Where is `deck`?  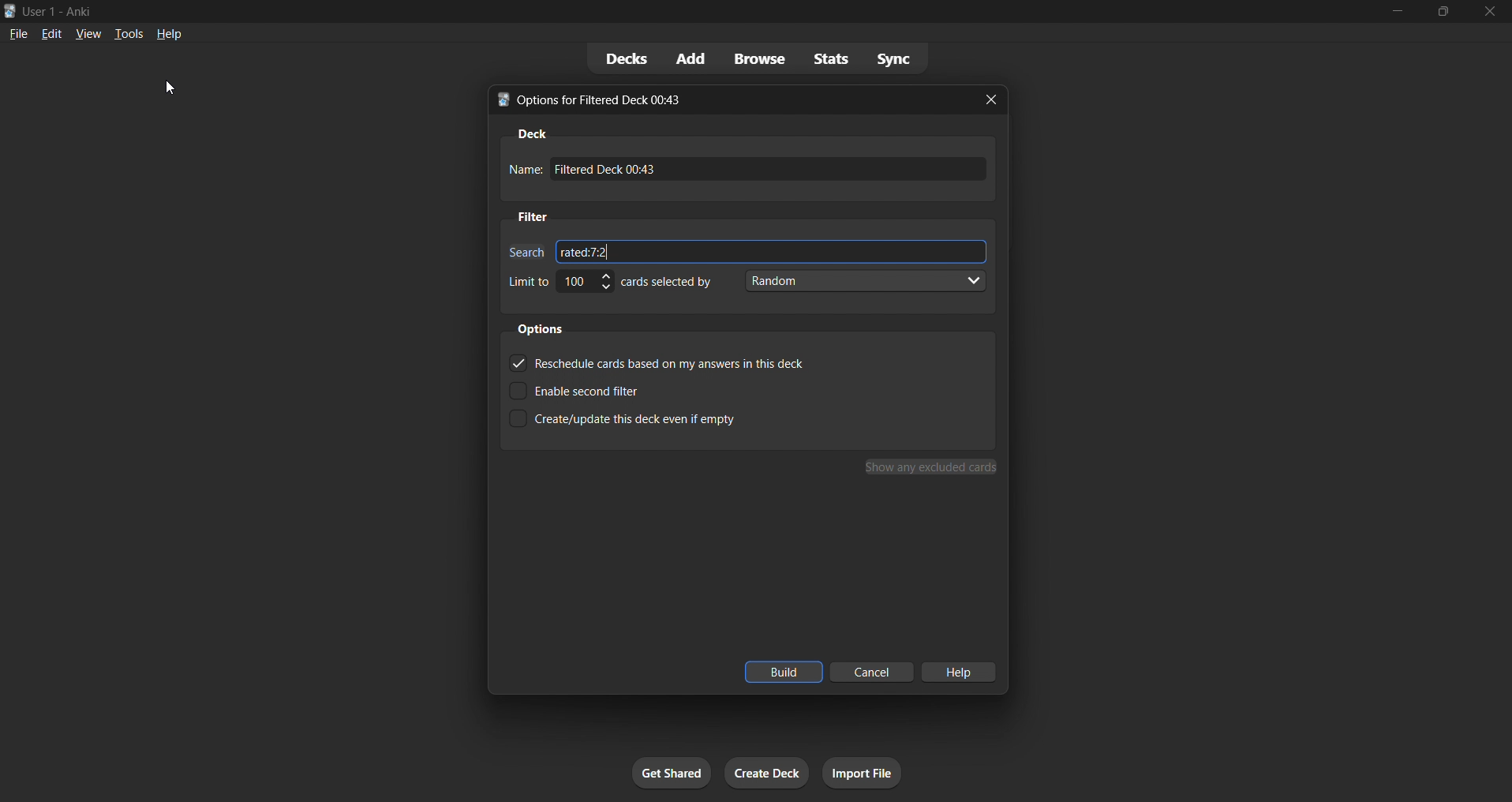
deck is located at coordinates (530, 131).